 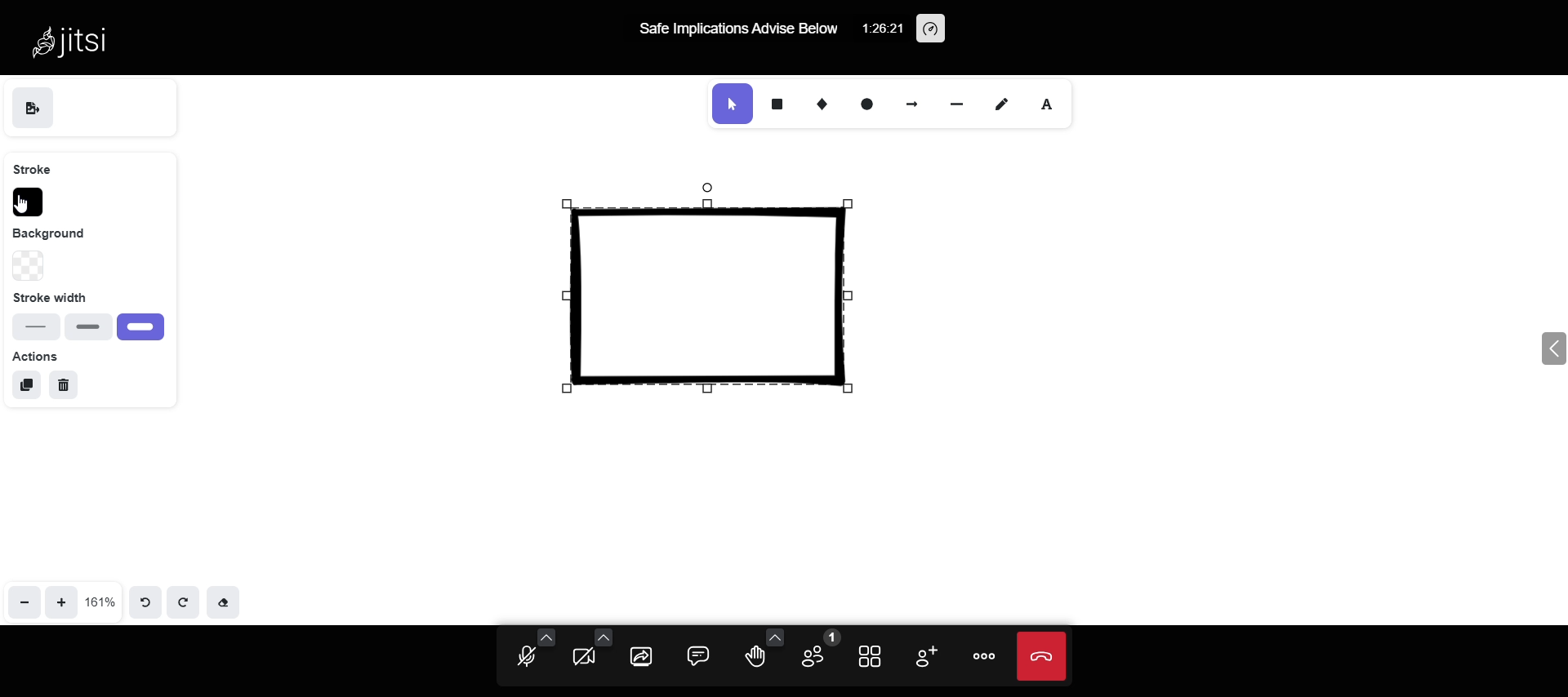 I want to click on stroke color, so click(x=31, y=199).